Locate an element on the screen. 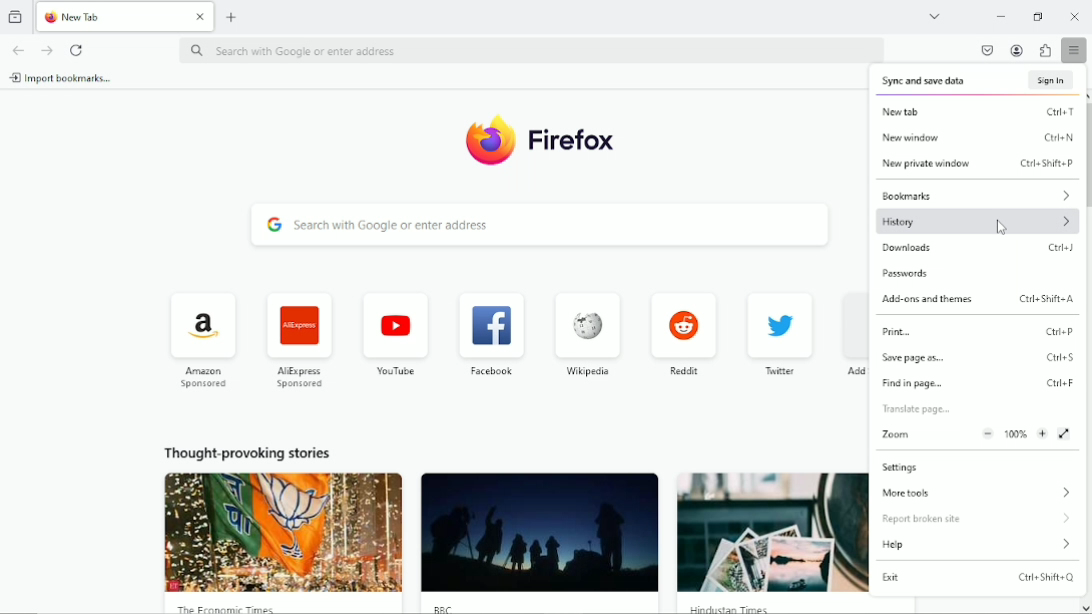 This screenshot has height=614, width=1092. view fullscreen is located at coordinates (1066, 434).